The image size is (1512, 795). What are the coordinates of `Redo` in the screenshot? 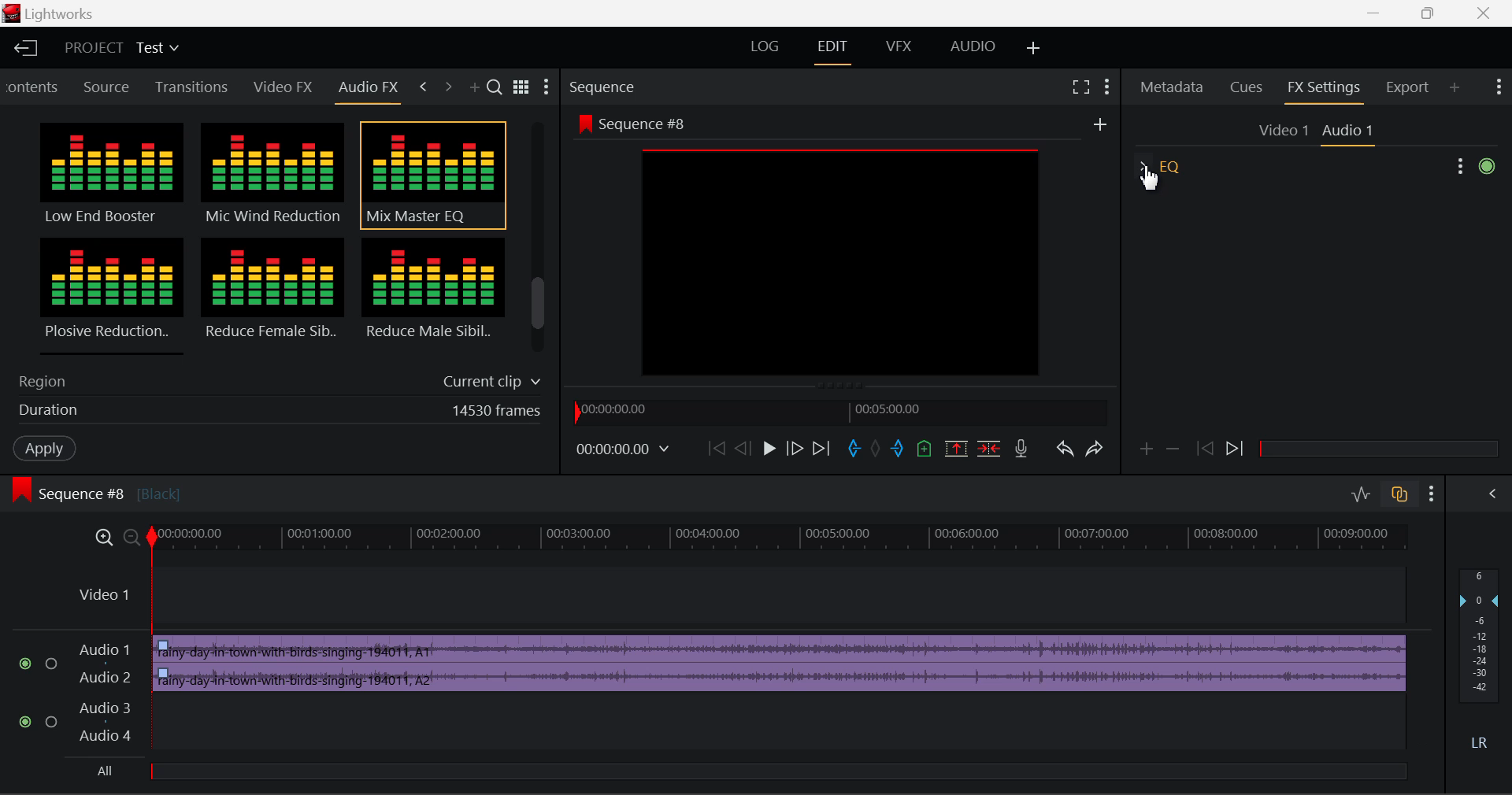 It's located at (1099, 453).